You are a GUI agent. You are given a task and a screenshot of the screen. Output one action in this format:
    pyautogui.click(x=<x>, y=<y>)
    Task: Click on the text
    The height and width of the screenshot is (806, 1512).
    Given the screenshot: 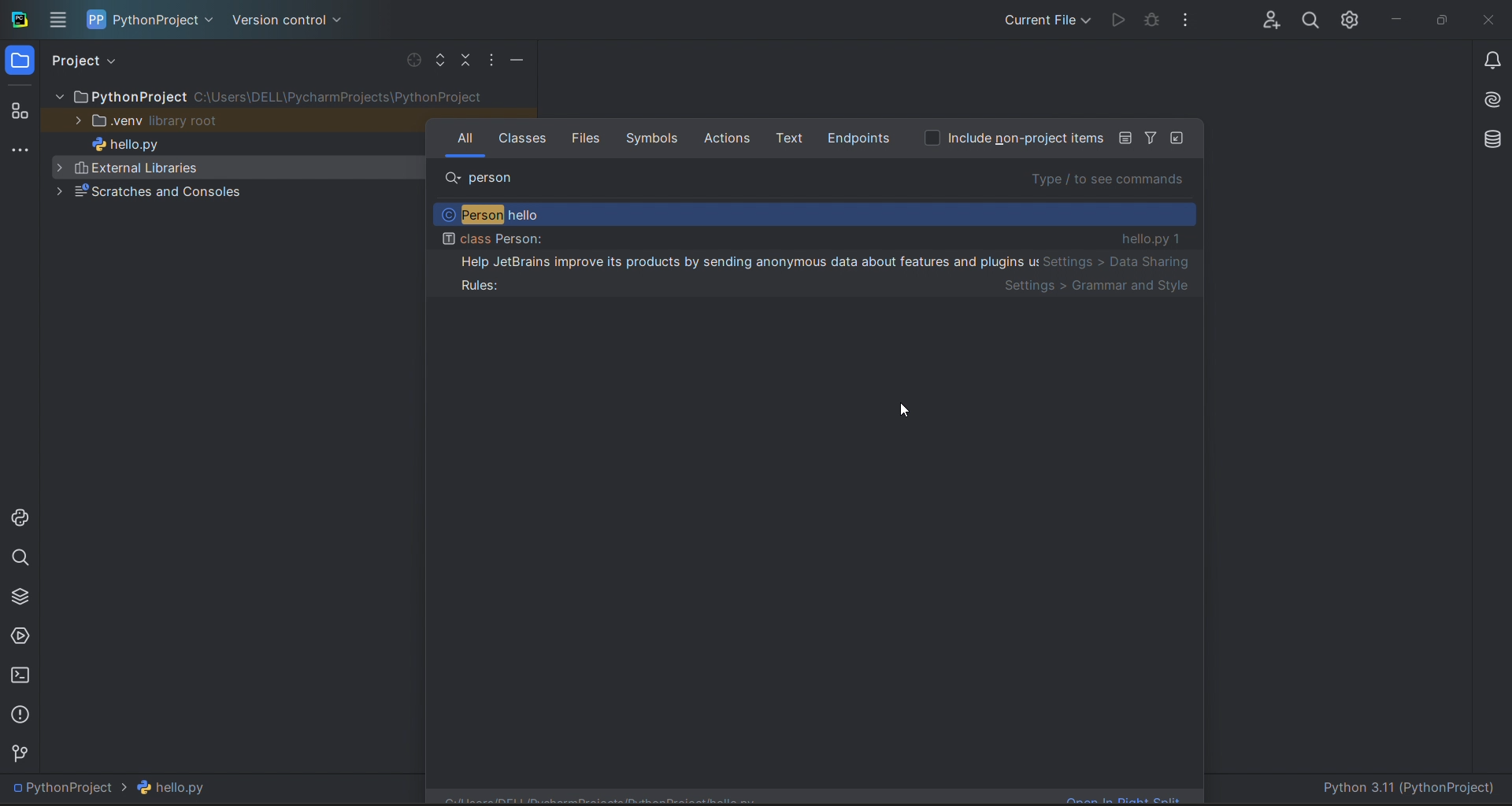 What is the action you would take?
    pyautogui.click(x=790, y=137)
    